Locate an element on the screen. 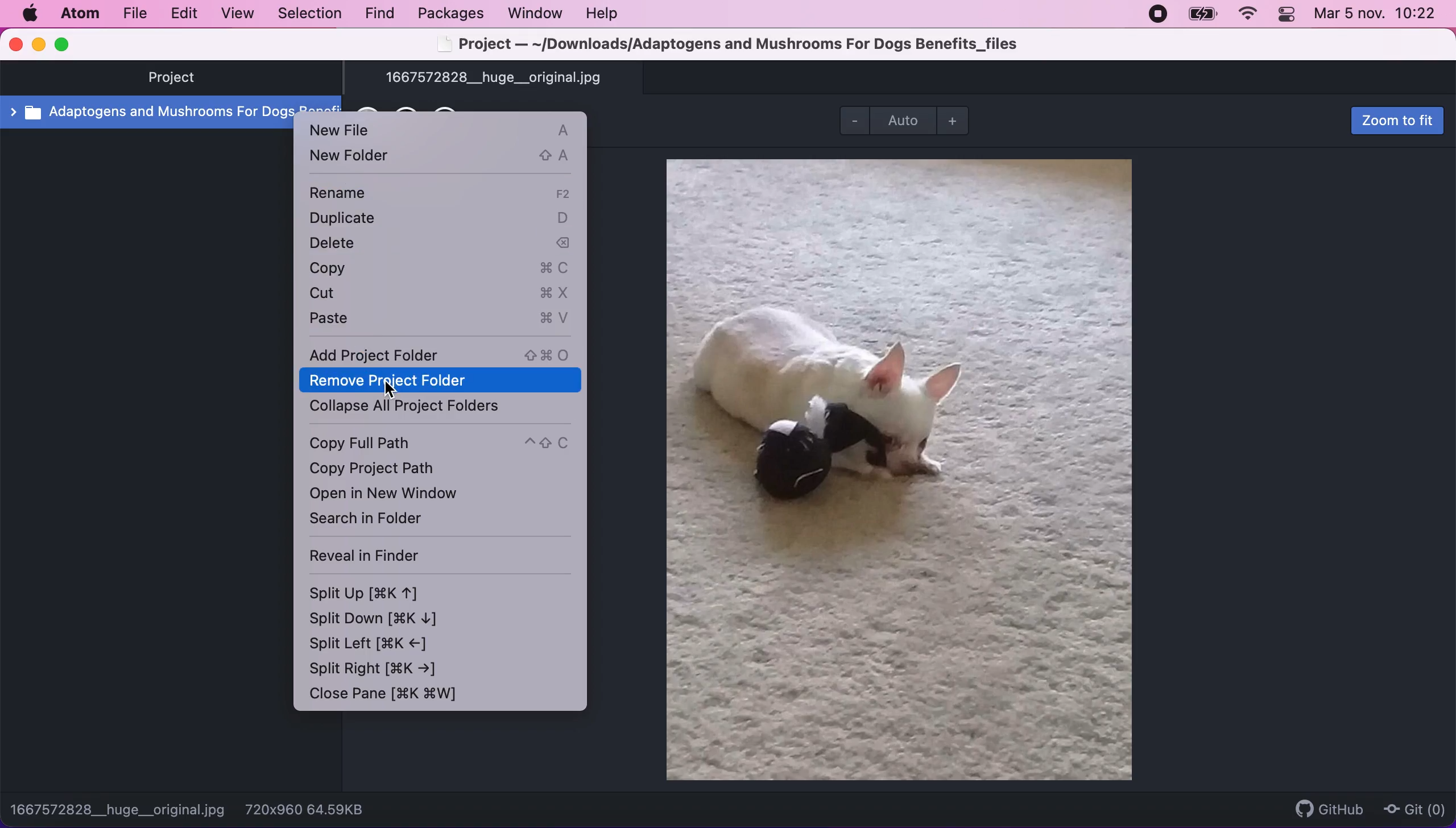 The width and height of the screenshot is (1456, 828). time and date is located at coordinates (1377, 15).